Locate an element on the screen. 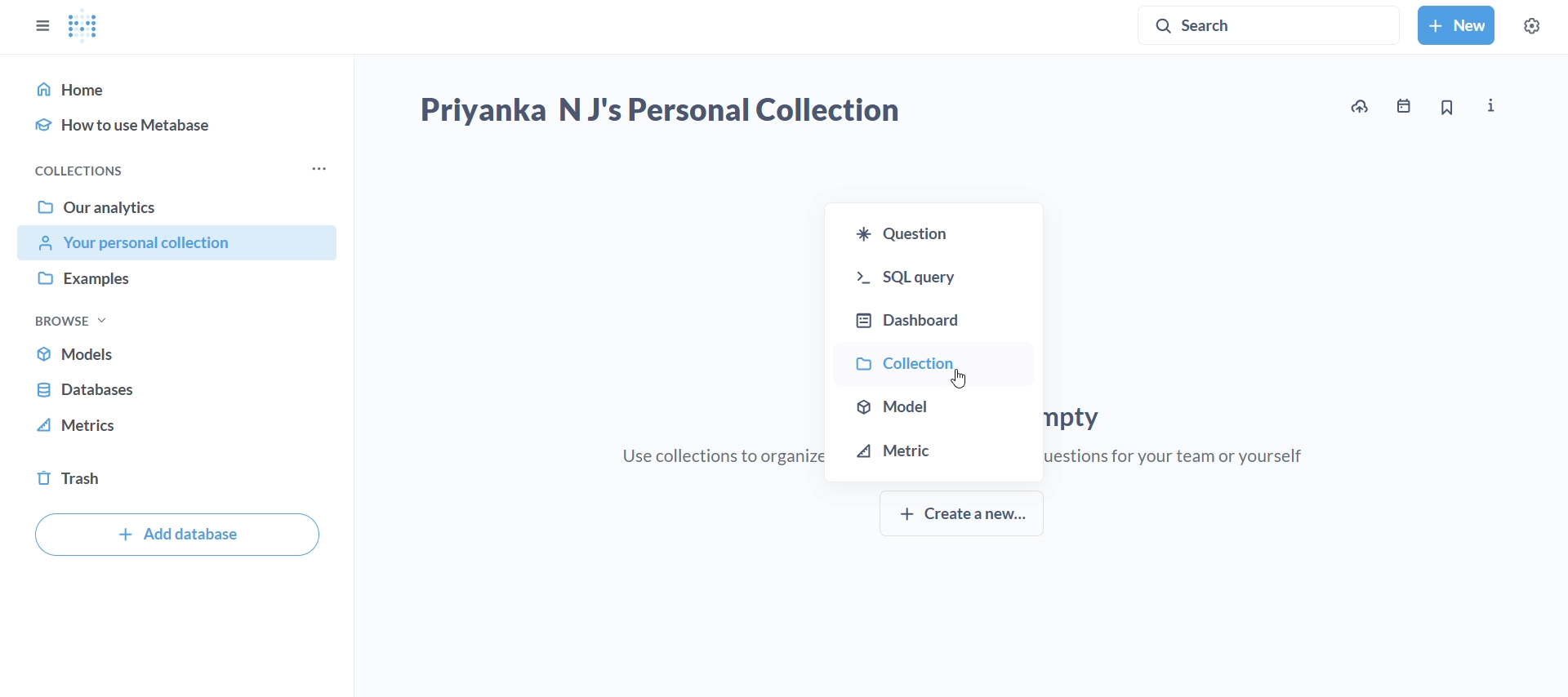  new collection is located at coordinates (1458, 25).